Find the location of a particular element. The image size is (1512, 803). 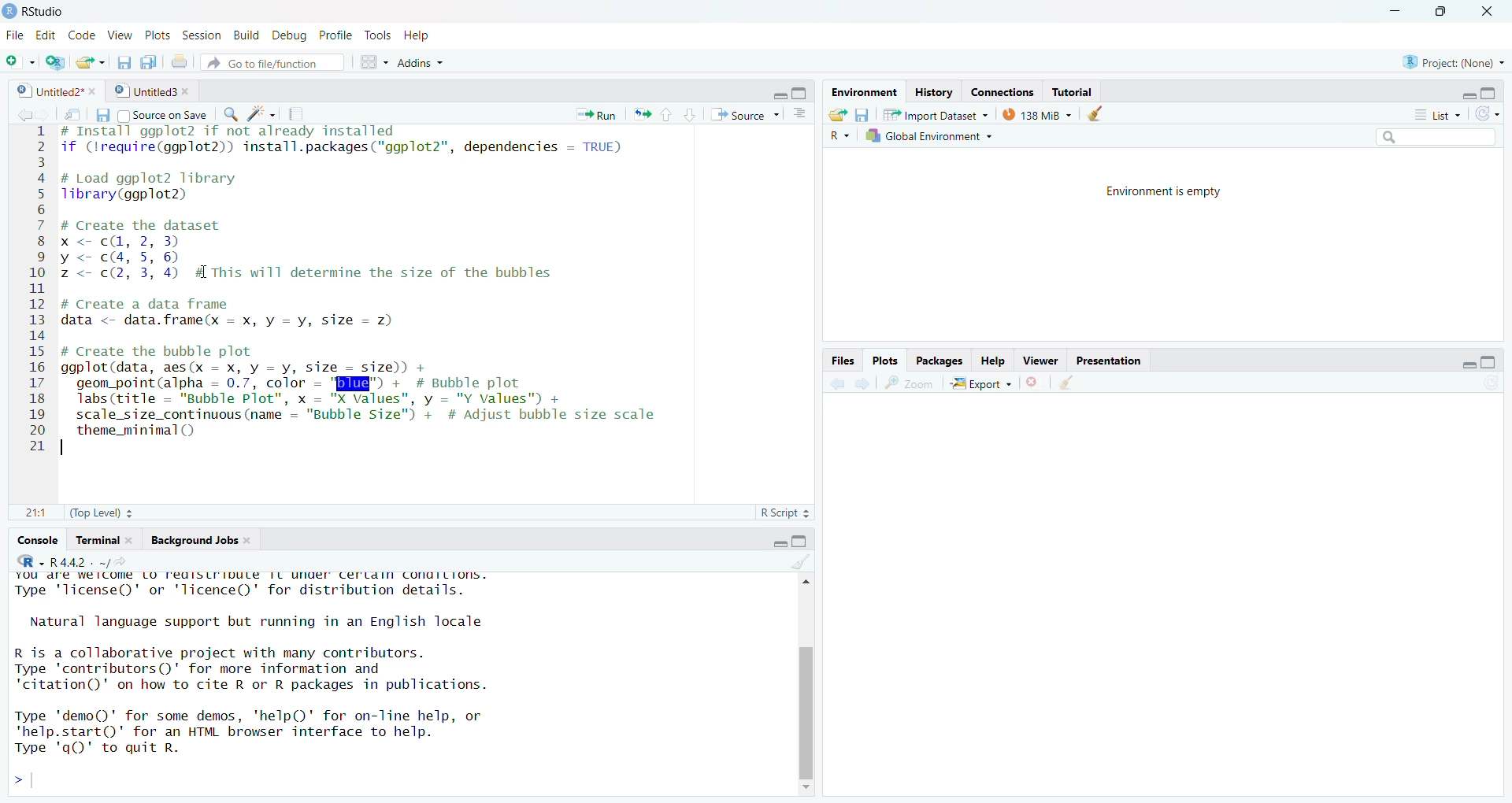

Tutorial is located at coordinates (1078, 90).